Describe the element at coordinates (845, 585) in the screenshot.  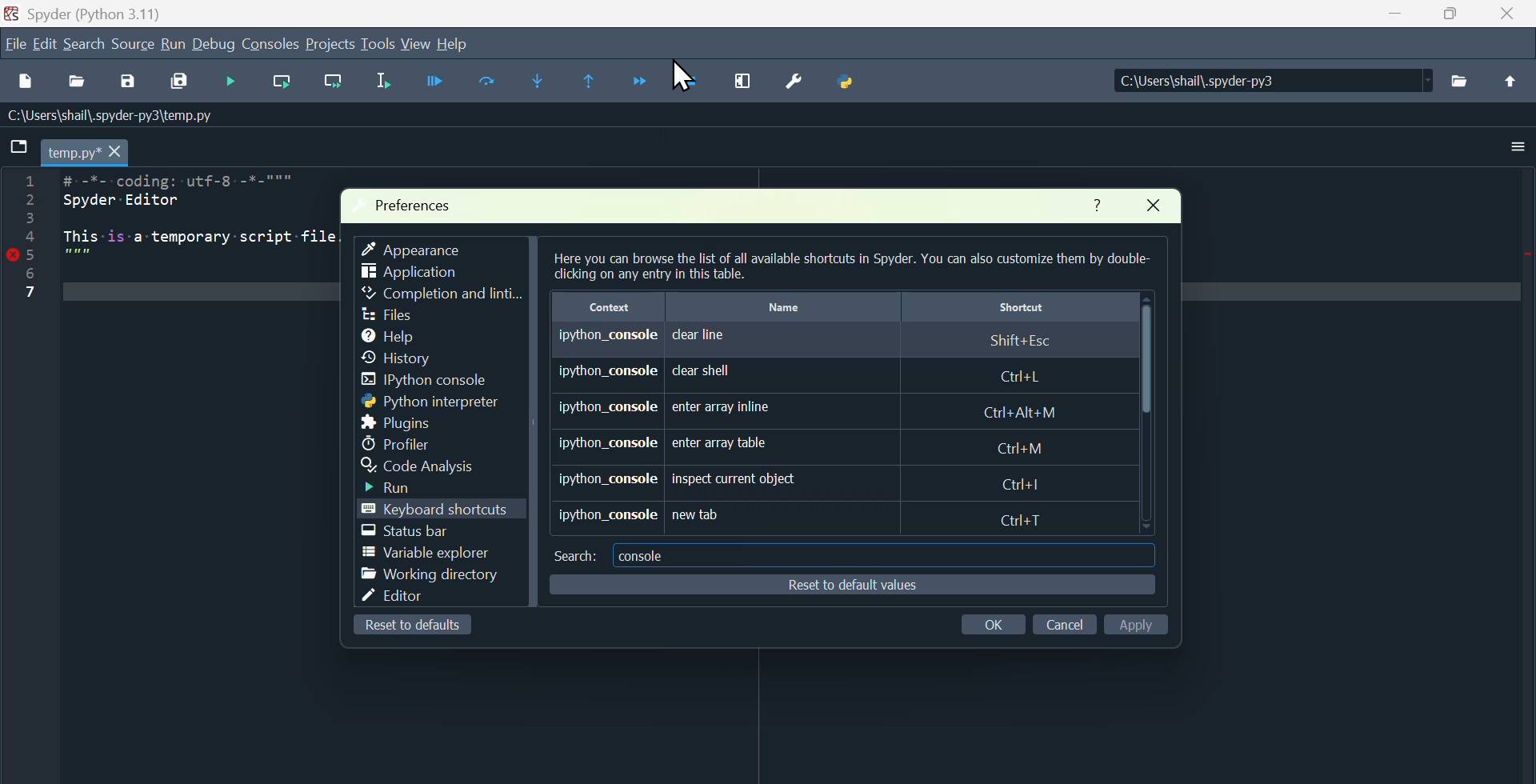
I see `Reset to default values` at that location.